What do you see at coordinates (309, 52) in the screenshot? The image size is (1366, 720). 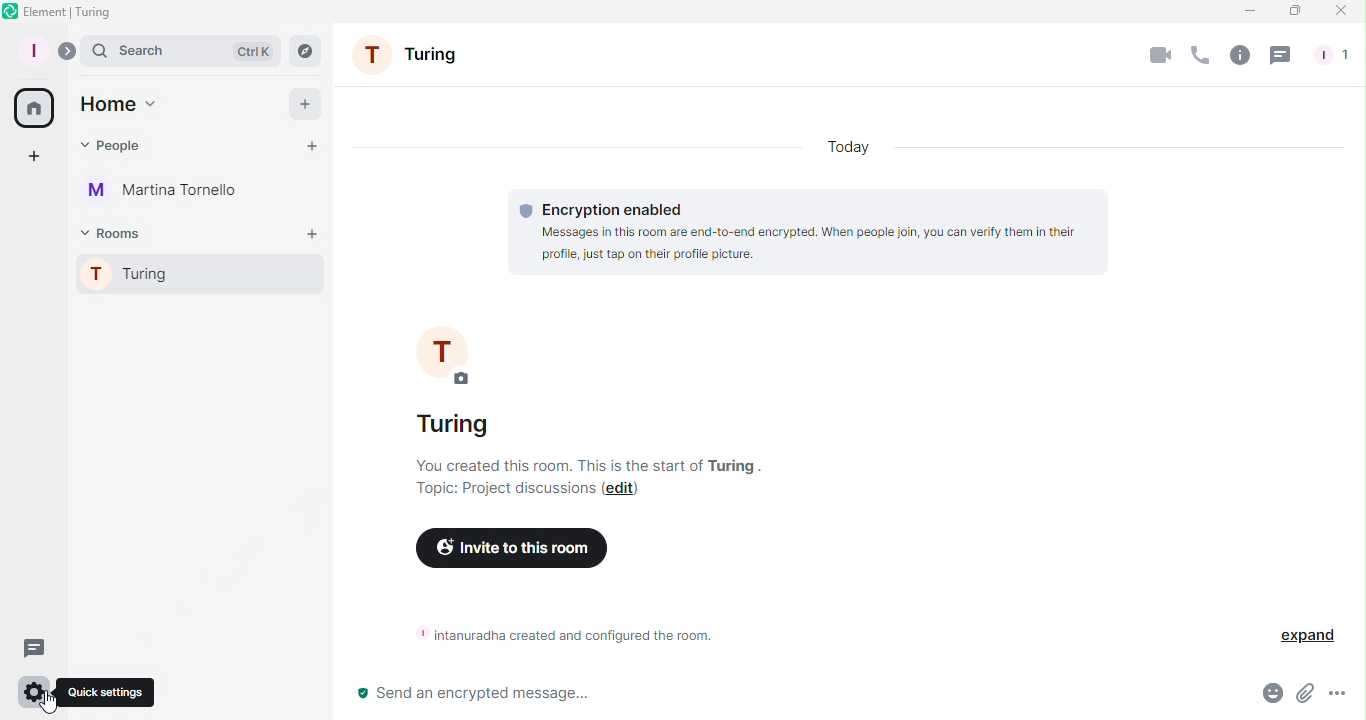 I see `Rooms` at bounding box center [309, 52].